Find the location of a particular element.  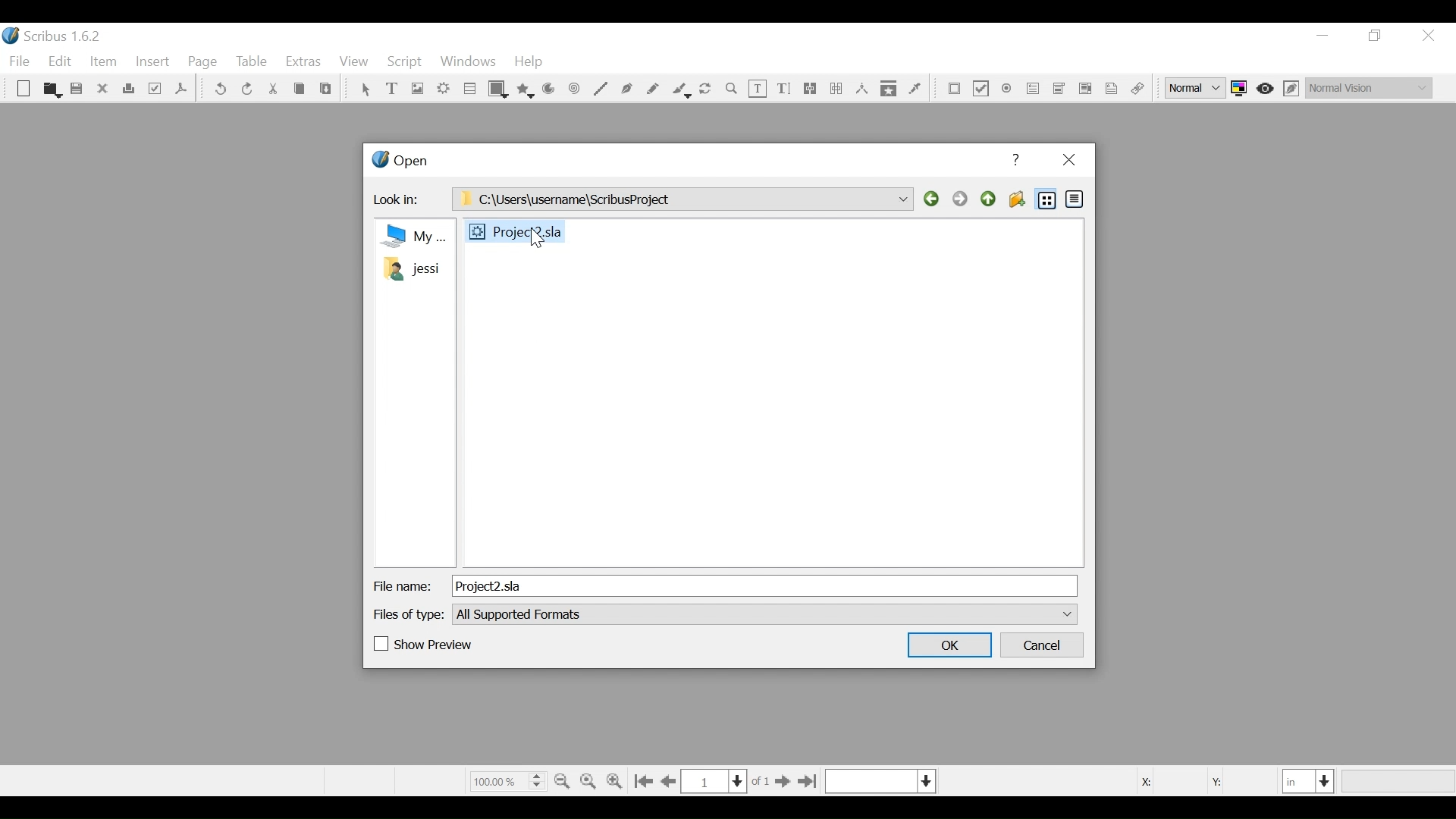

link text frames is located at coordinates (811, 89).